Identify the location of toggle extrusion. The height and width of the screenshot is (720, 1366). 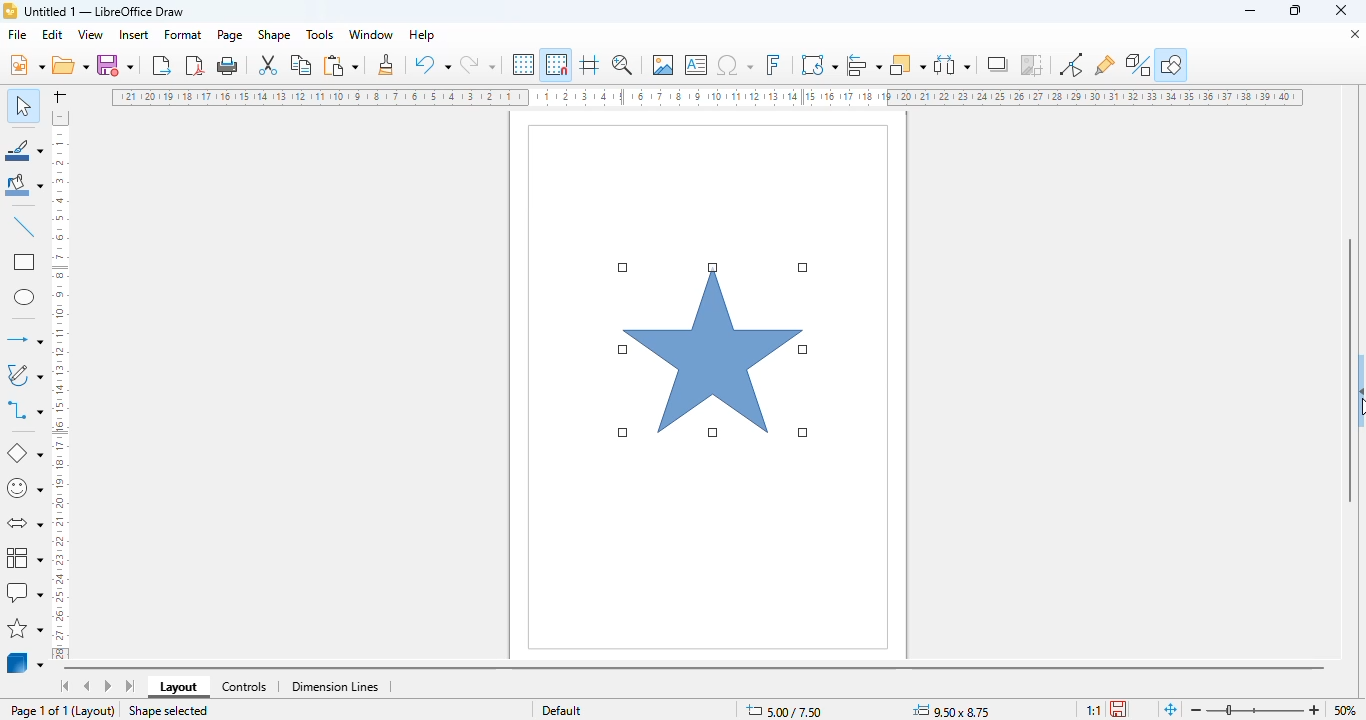
(1138, 65).